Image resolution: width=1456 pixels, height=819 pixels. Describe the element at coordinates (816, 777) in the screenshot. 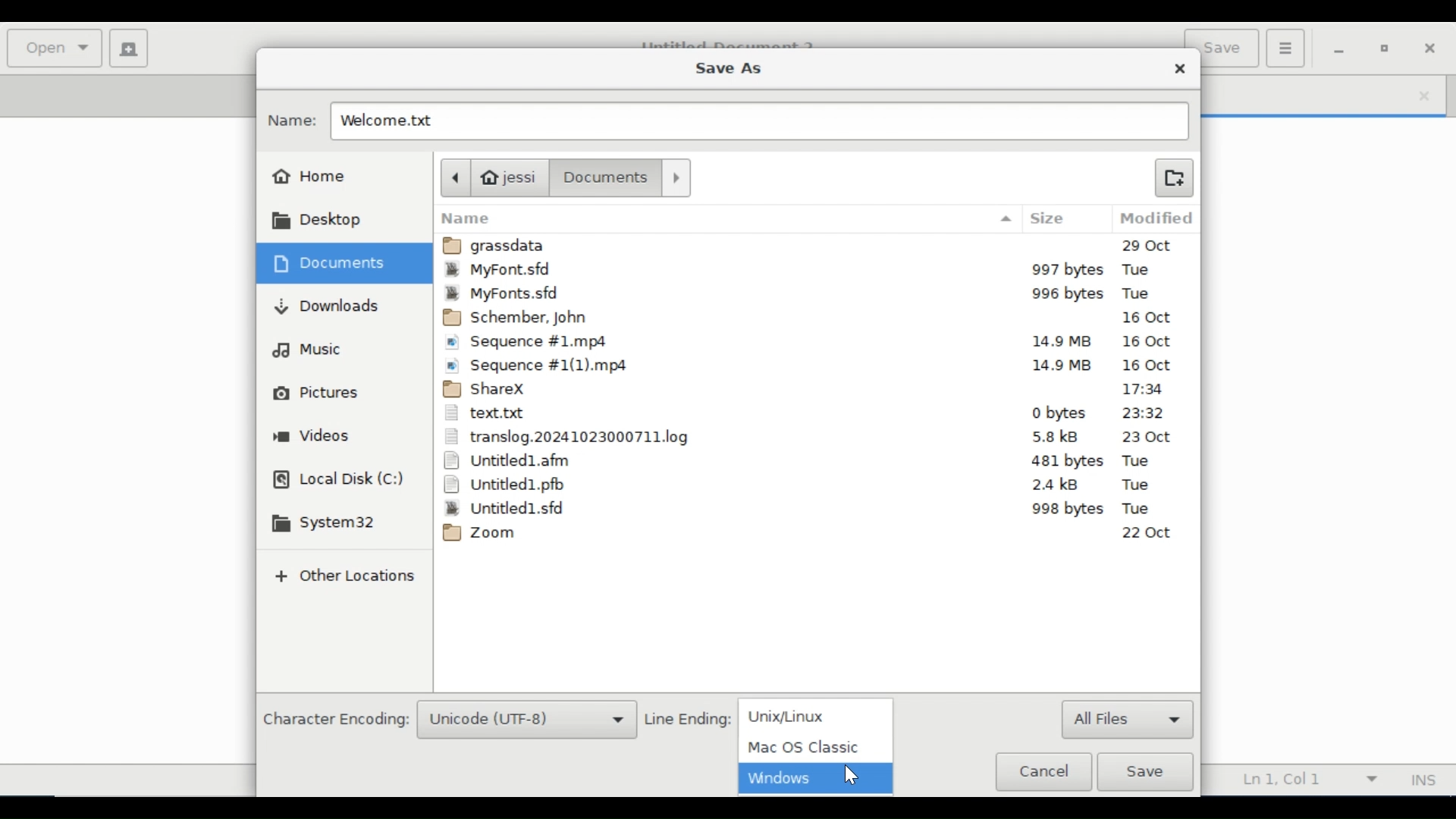

I see `Windows` at that location.